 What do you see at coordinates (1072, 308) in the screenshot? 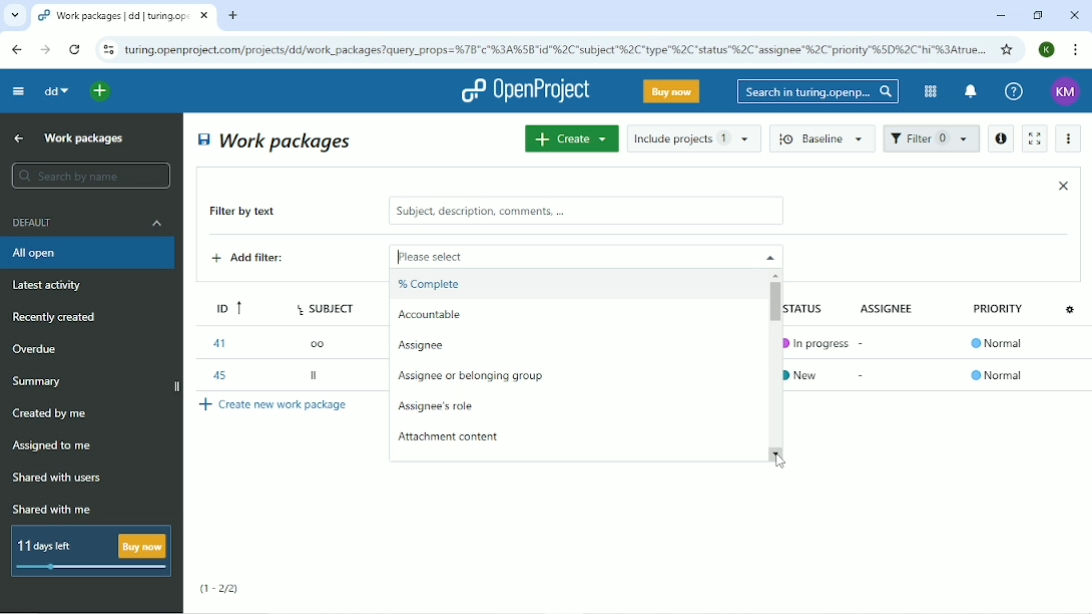
I see `Configure view` at bounding box center [1072, 308].